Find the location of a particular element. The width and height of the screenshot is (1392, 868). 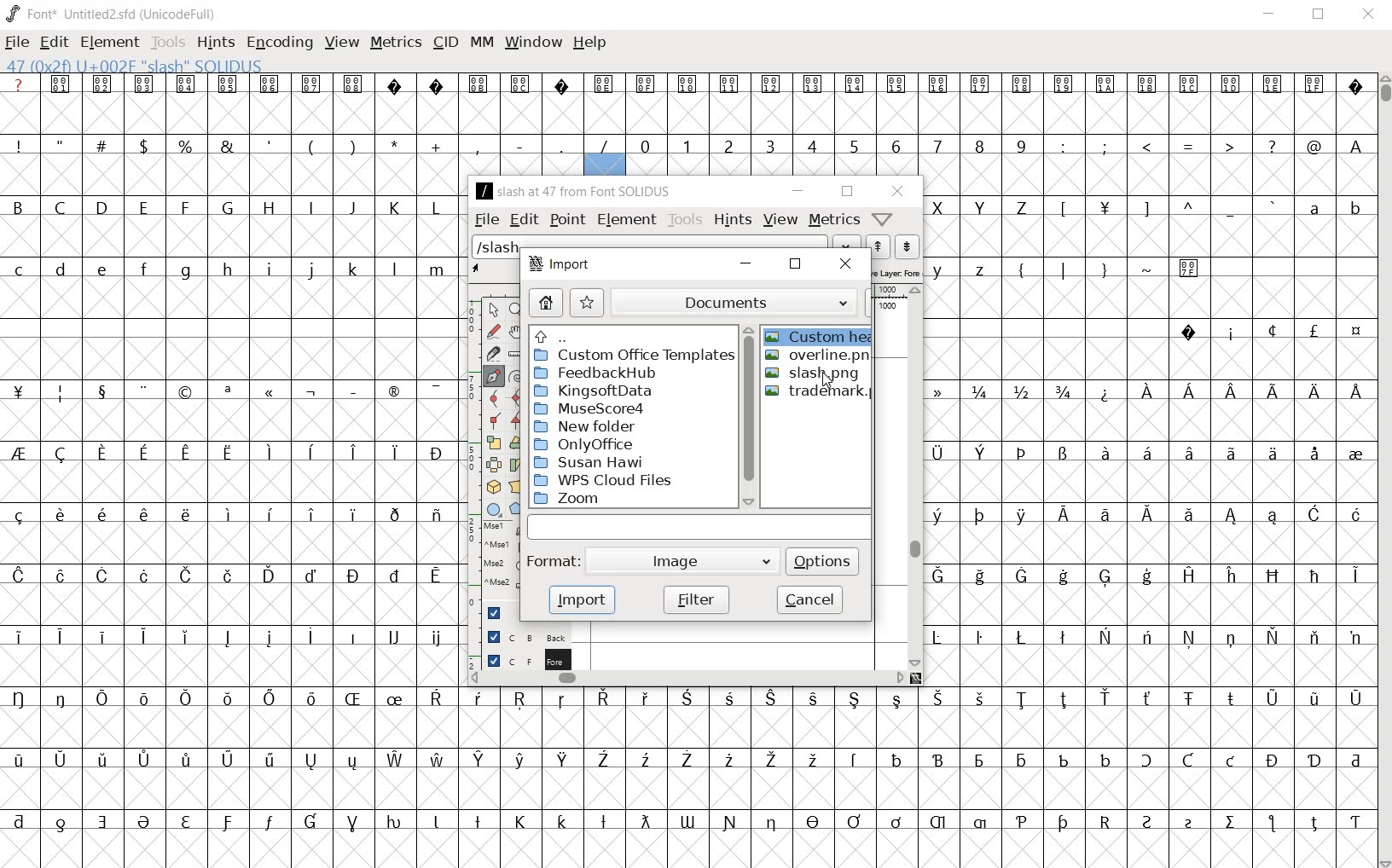

scroll by hand is located at coordinates (514, 333).